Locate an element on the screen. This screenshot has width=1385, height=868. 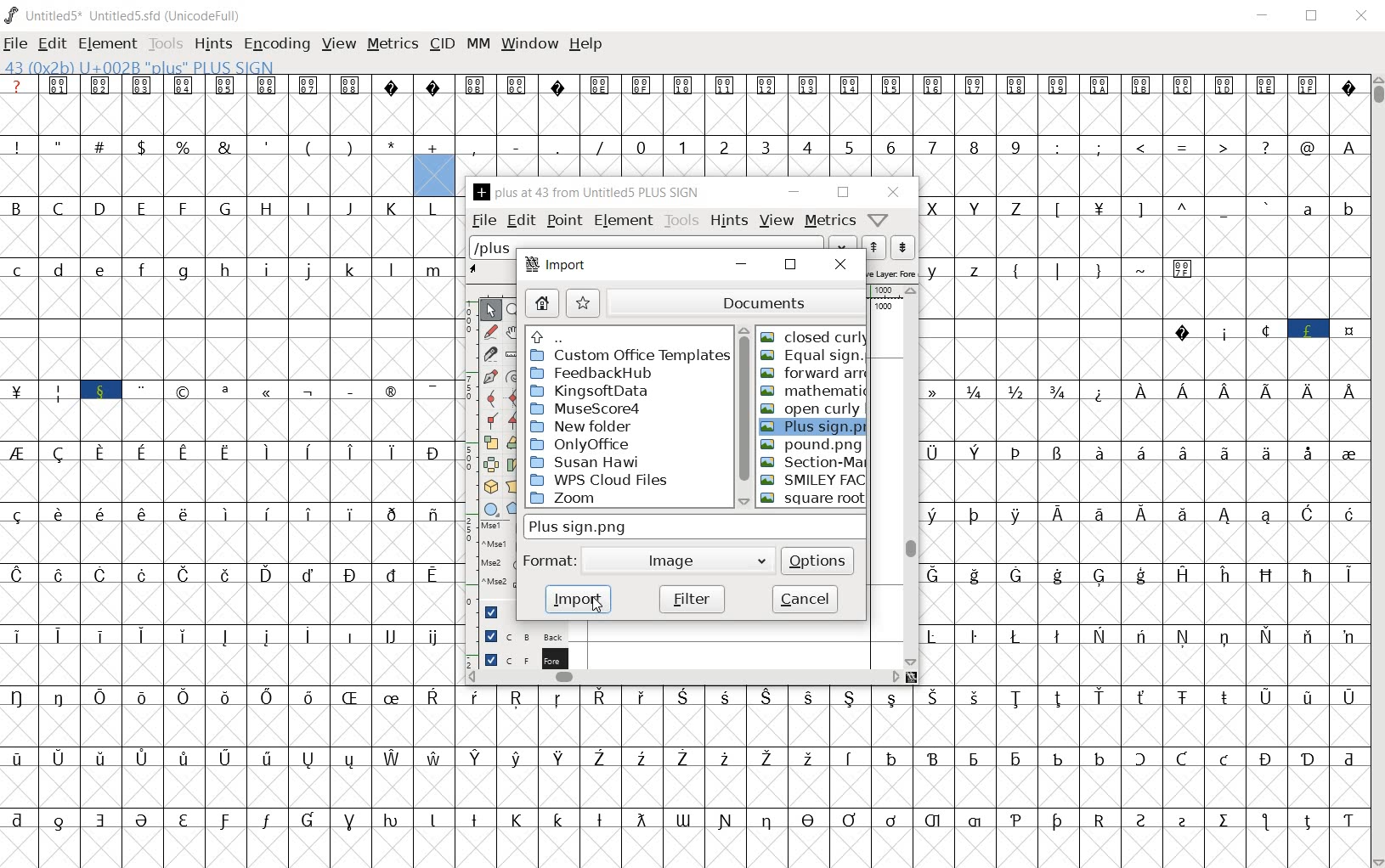
EQUAL SIGN is located at coordinates (812, 357).